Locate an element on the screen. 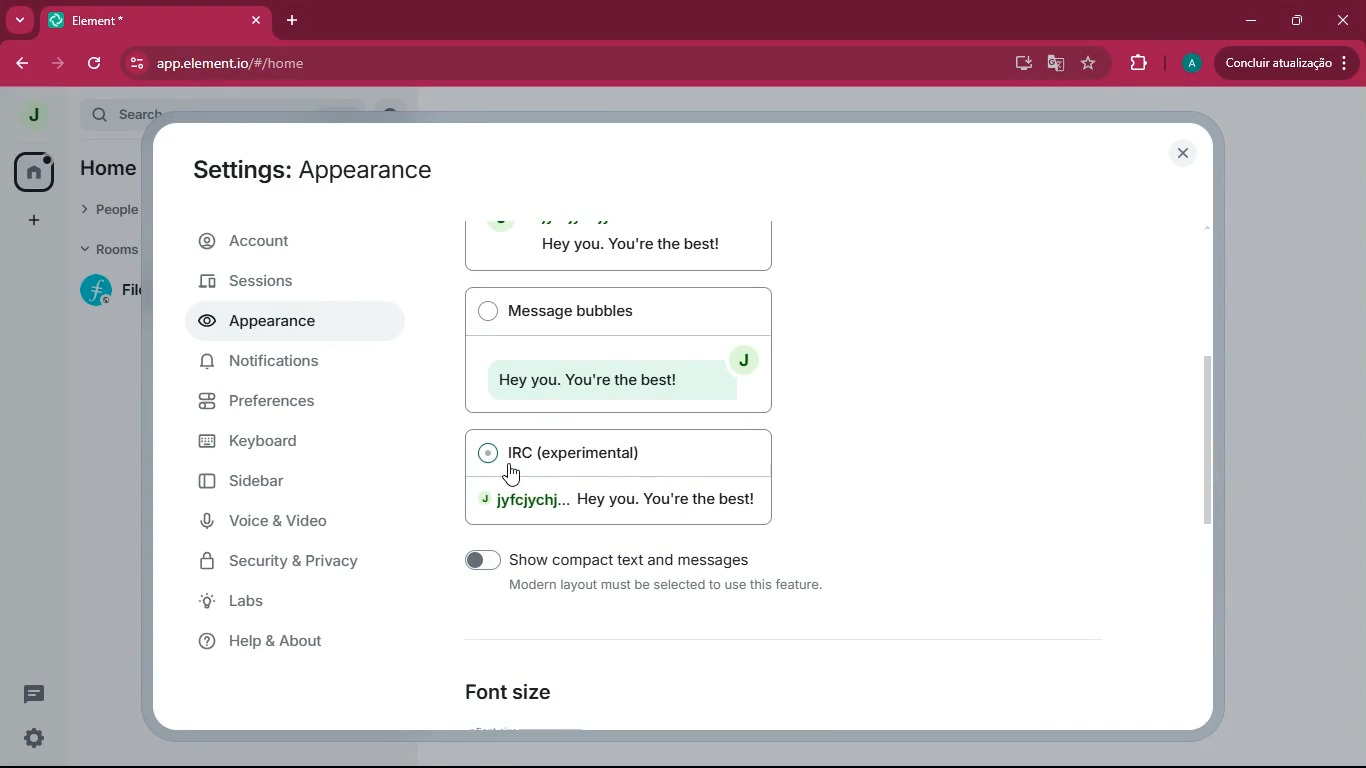 Image resolution: width=1366 pixels, height=768 pixels. notifications is located at coordinates (267, 362).